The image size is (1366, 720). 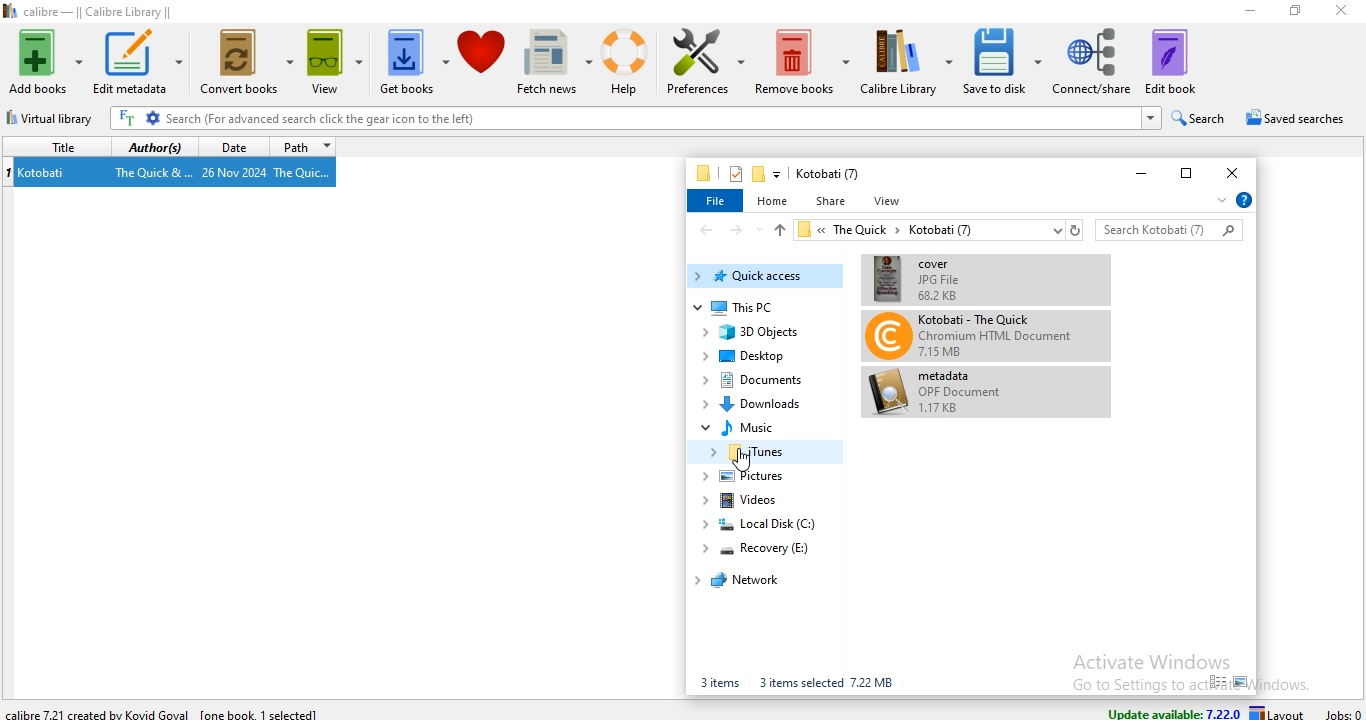 I want to click on view, so click(x=337, y=63).